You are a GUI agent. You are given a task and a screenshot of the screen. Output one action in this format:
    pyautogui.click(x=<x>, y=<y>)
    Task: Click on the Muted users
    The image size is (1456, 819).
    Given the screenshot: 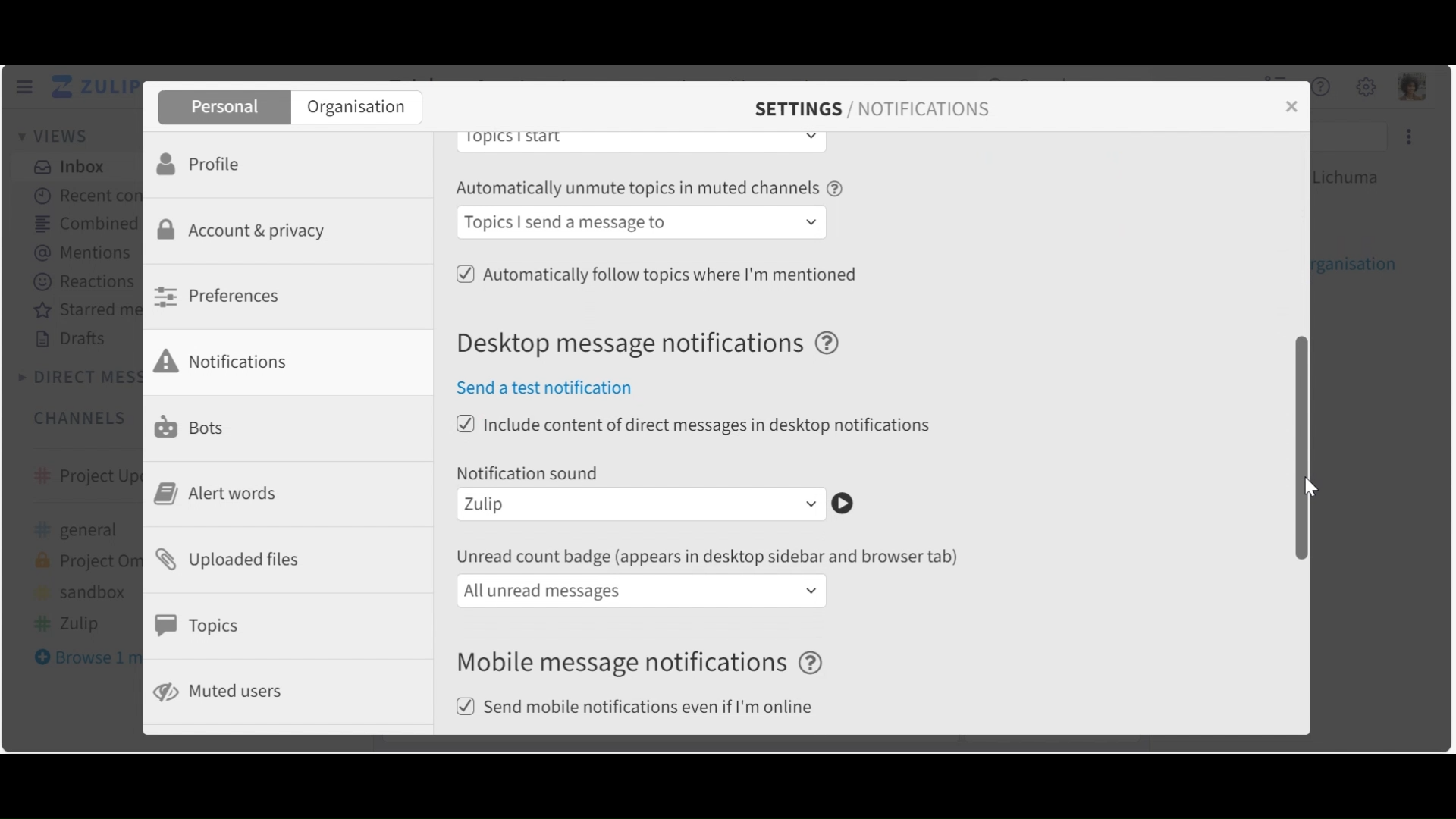 What is the action you would take?
    pyautogui.click(x=221, y=692)
    